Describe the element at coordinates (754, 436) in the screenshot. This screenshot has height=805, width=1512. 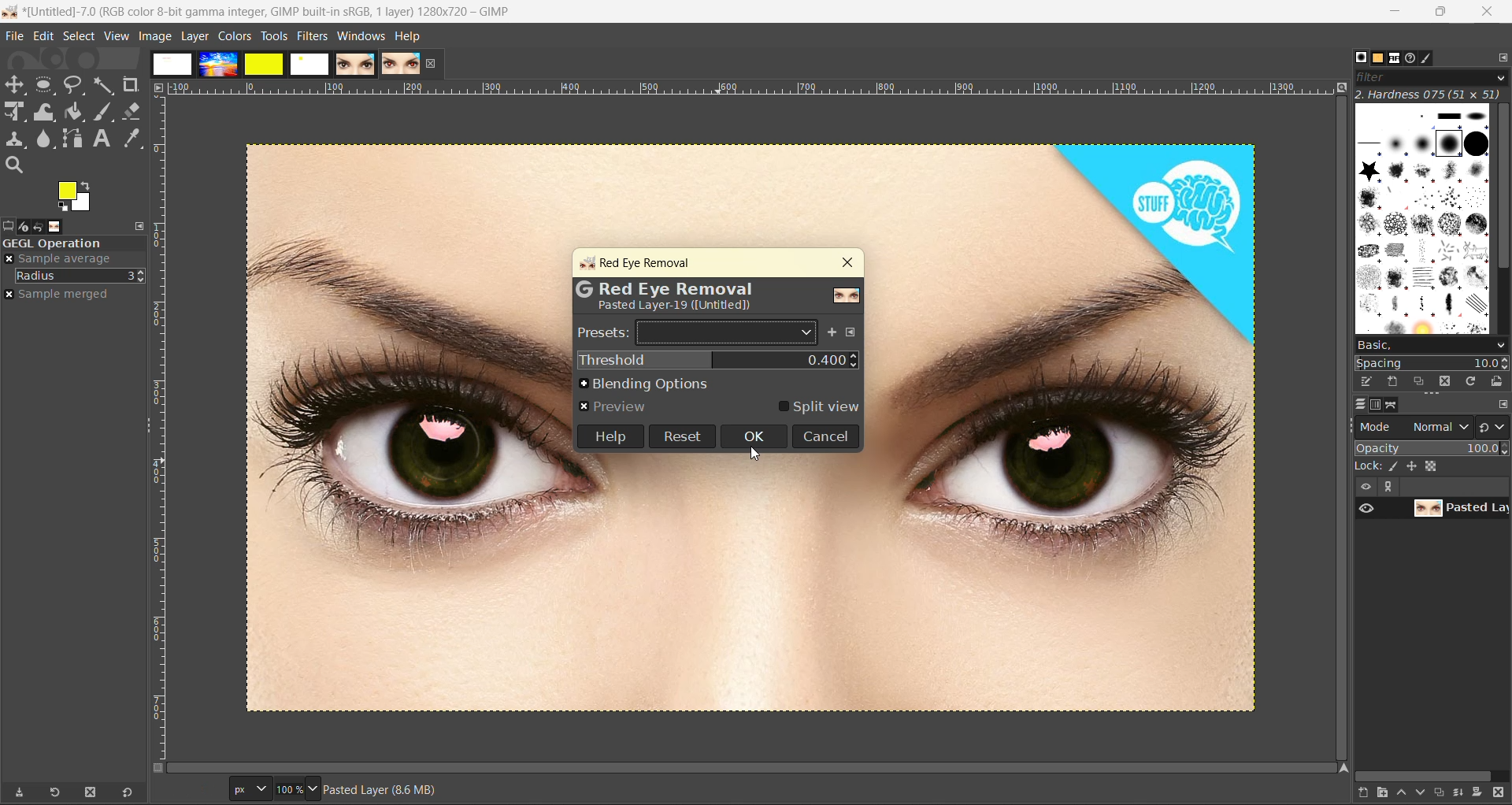
I see `ok` at that location.